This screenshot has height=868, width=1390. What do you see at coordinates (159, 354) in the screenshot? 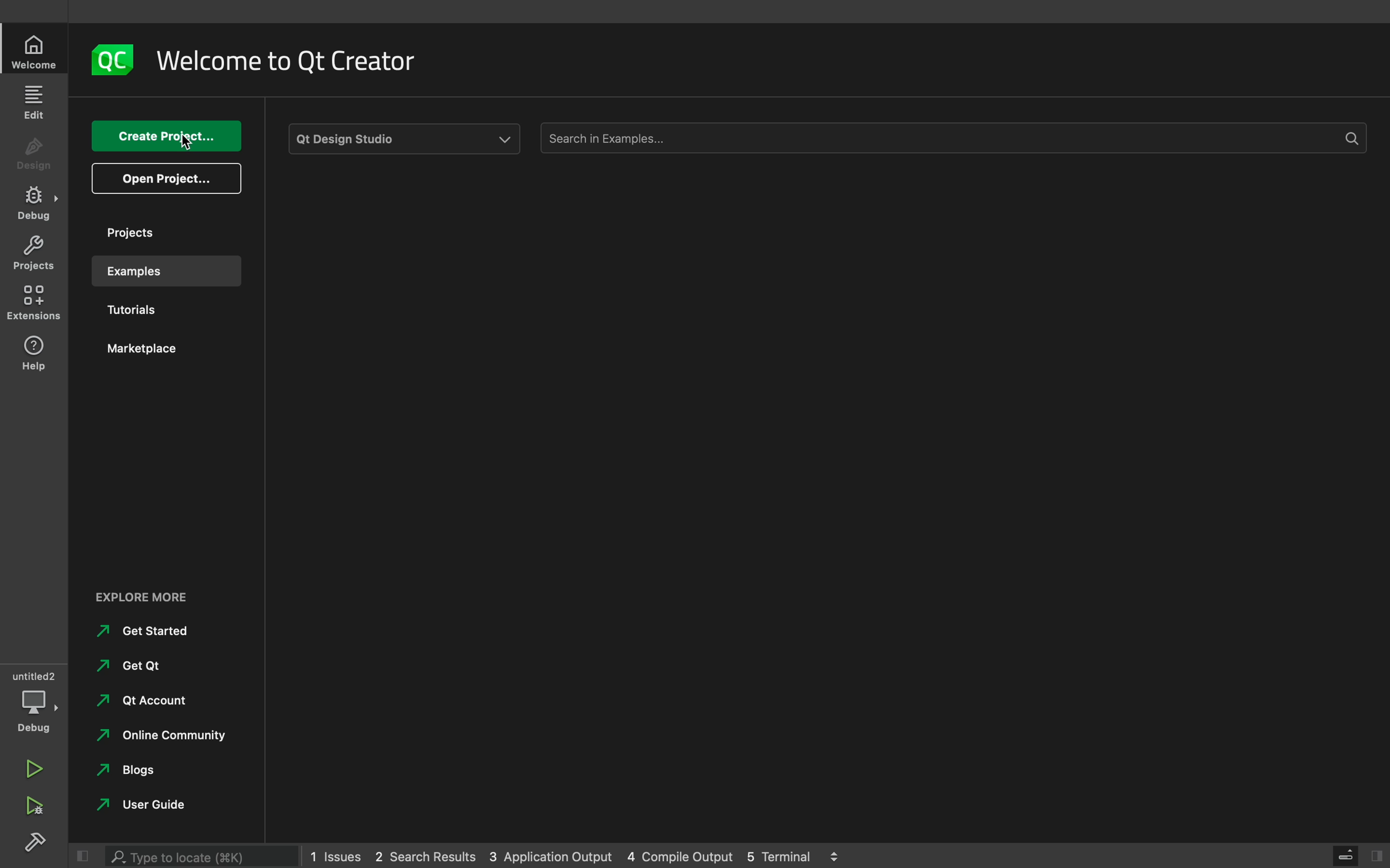
I see `marketplace` at bounding box center [159, 354].